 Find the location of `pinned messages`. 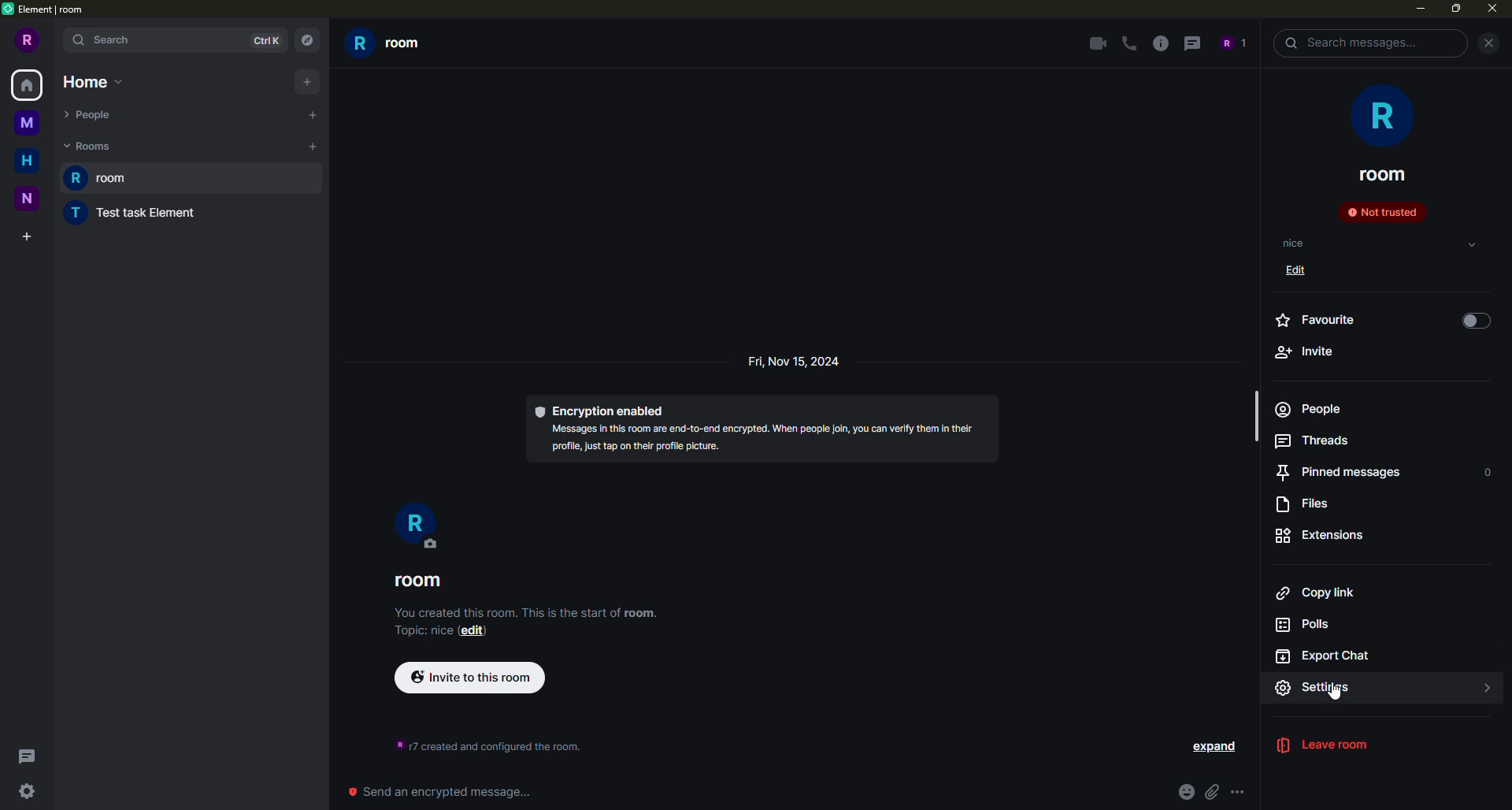

pinned messages is located at coordinates (1336, 473).